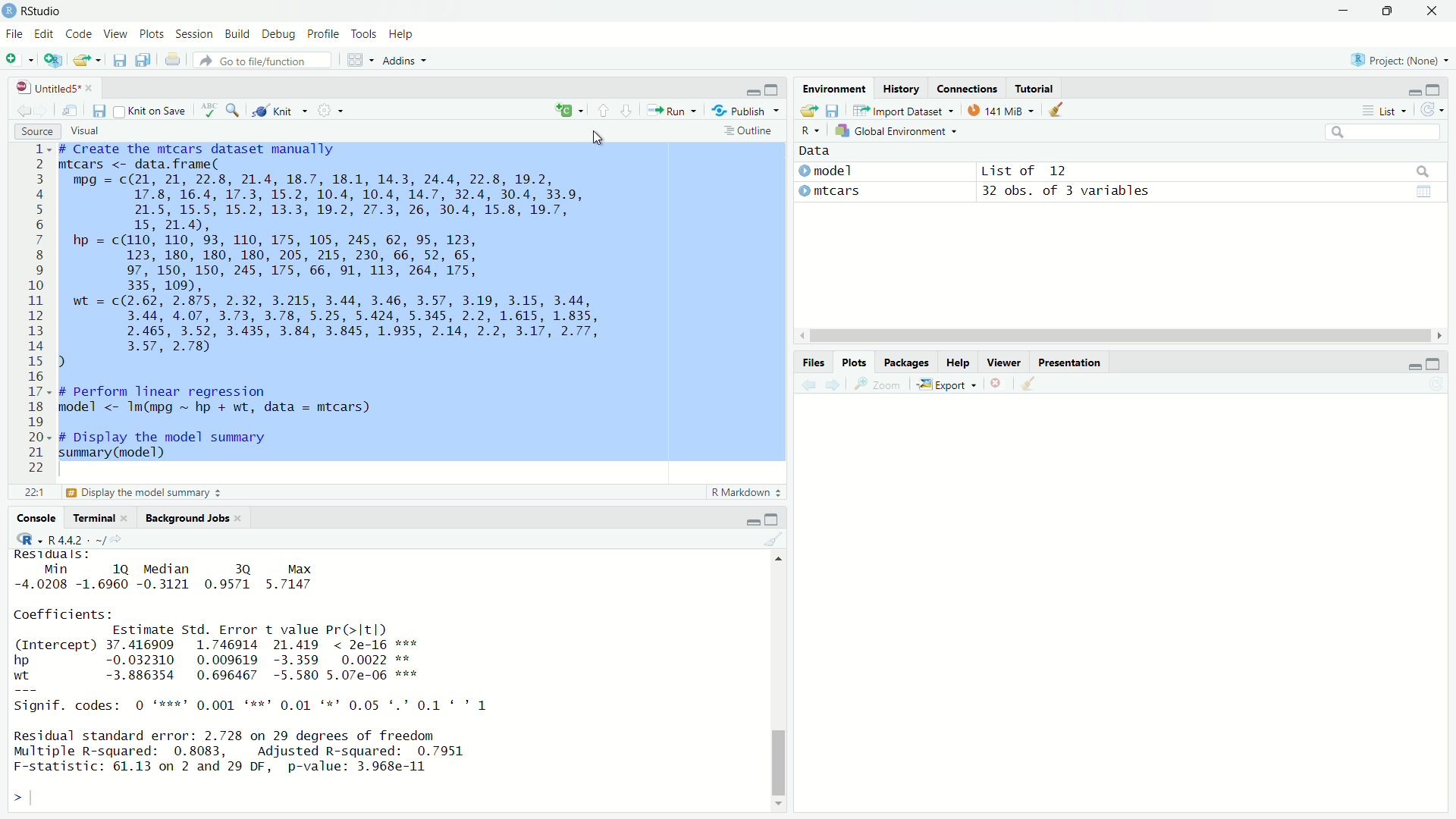 This screenshot has width=1456, height=819. Describe the element at coordinates (36, 519) in the screenshot. I see `Console` at that location.